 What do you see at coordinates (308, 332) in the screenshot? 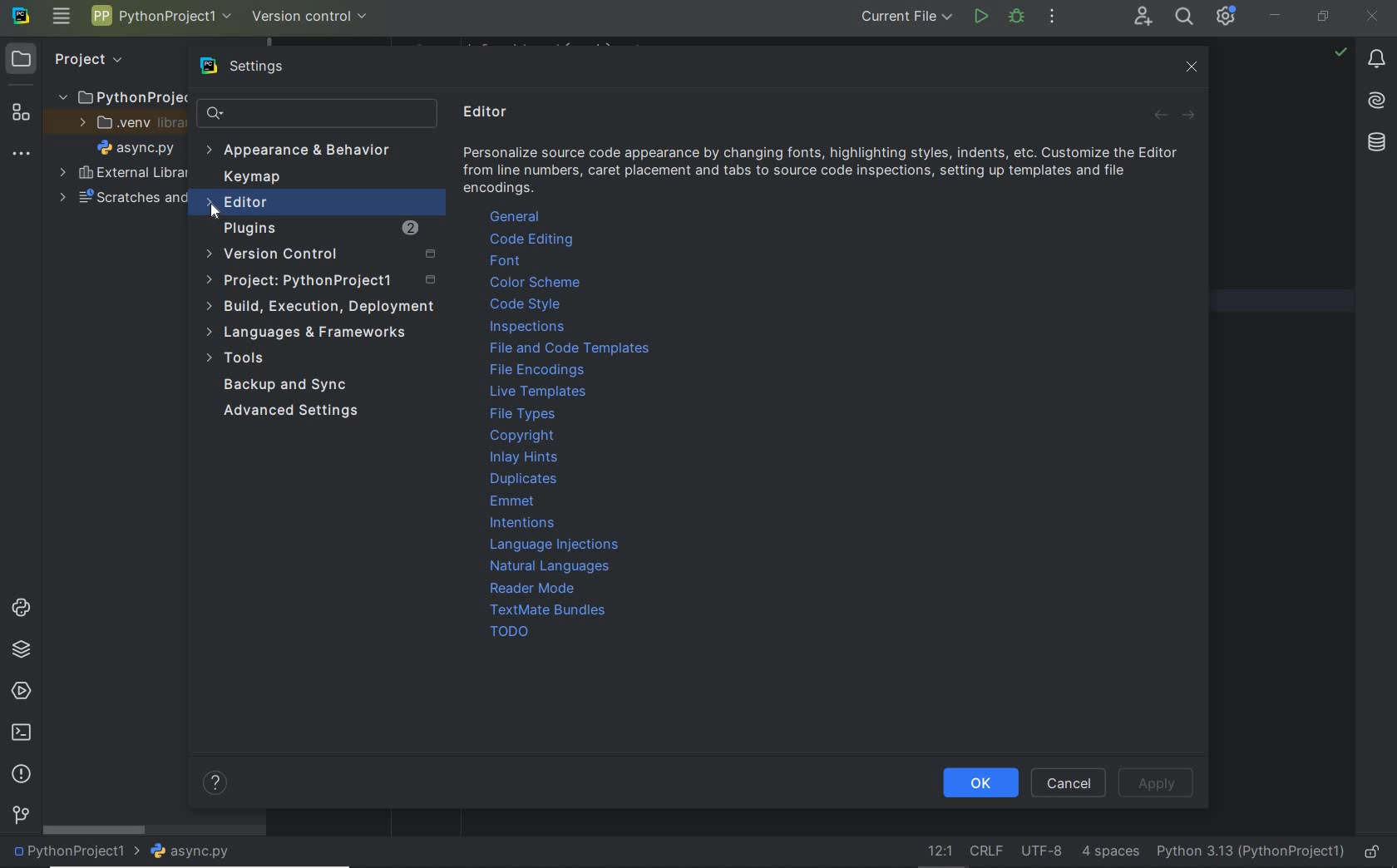
I see `language & frameworks` at bounding box center [308, 332].